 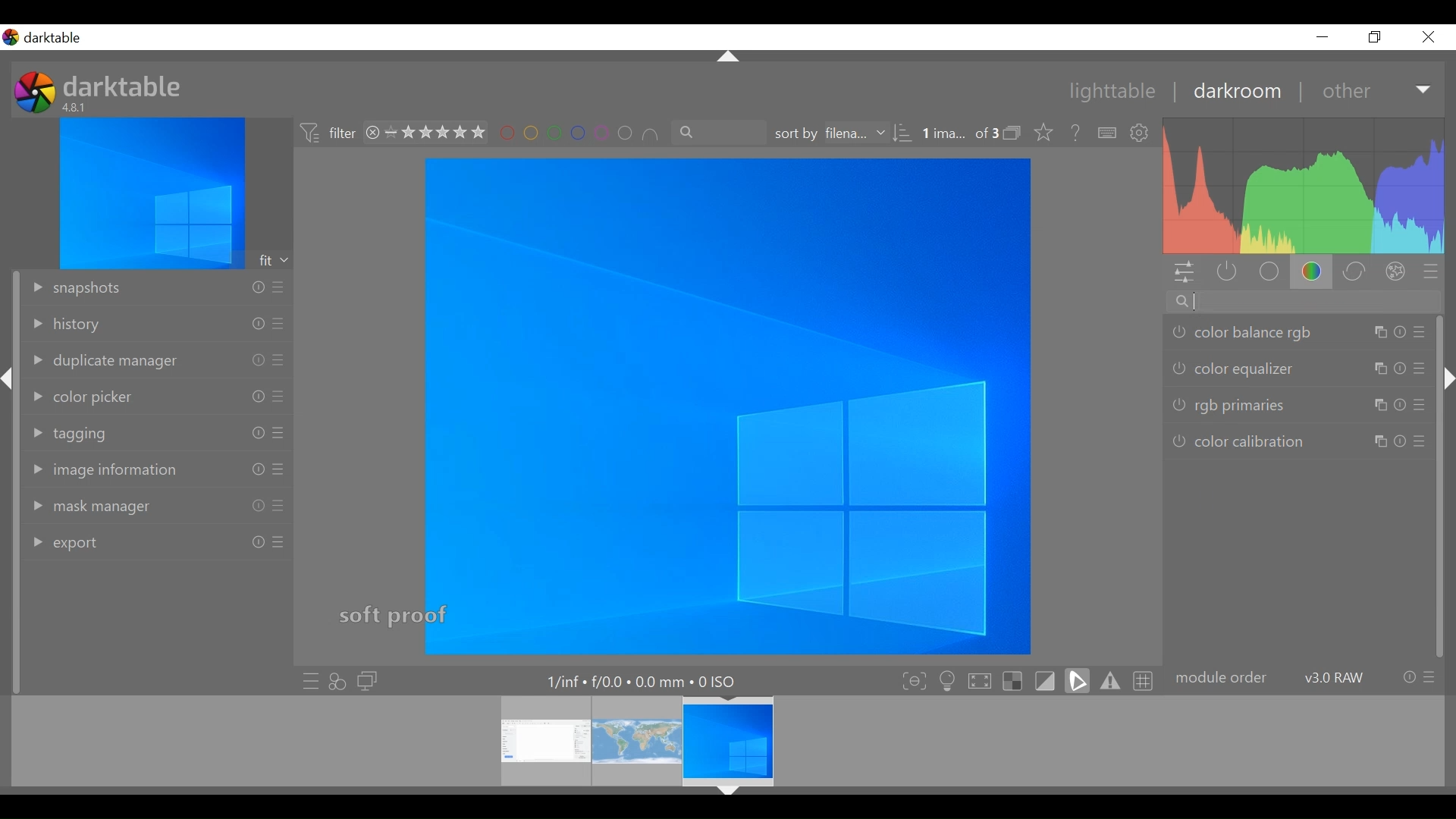 I want to click on help, so click(x=1071, y=133).